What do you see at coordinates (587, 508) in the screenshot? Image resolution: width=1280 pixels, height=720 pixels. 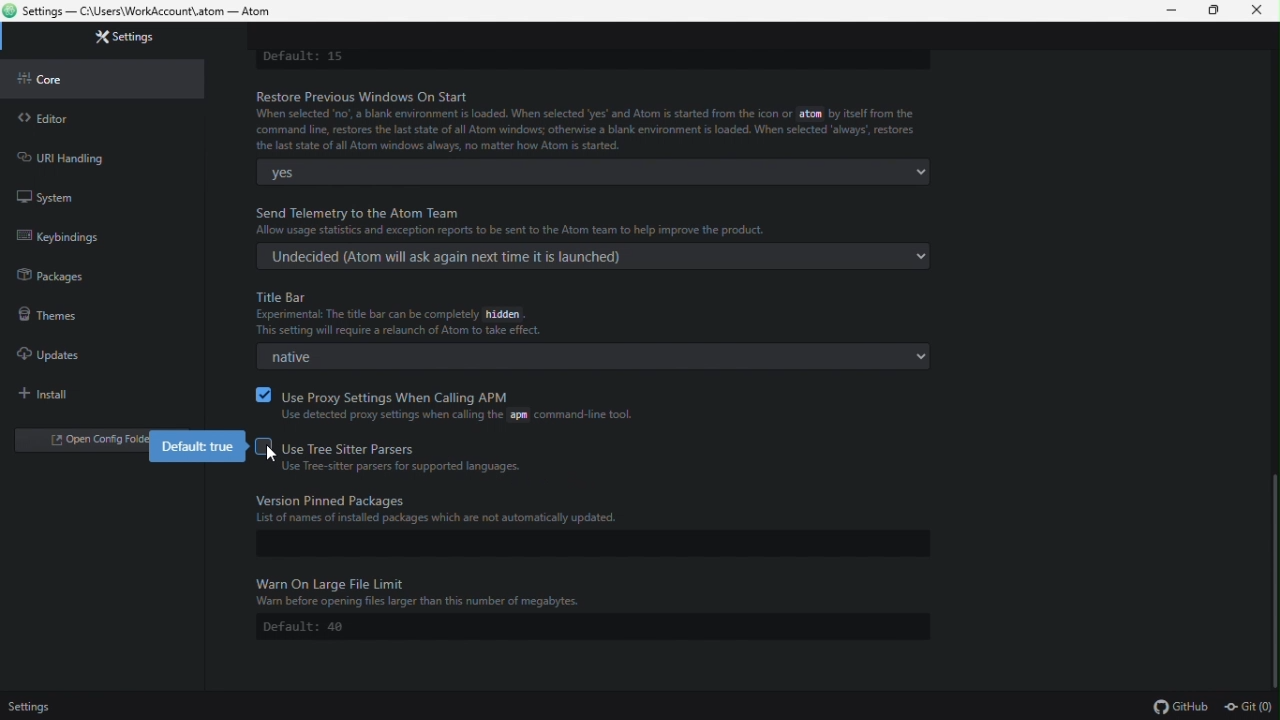 I see `version pinned packages ` at bounding box center [587, 508].